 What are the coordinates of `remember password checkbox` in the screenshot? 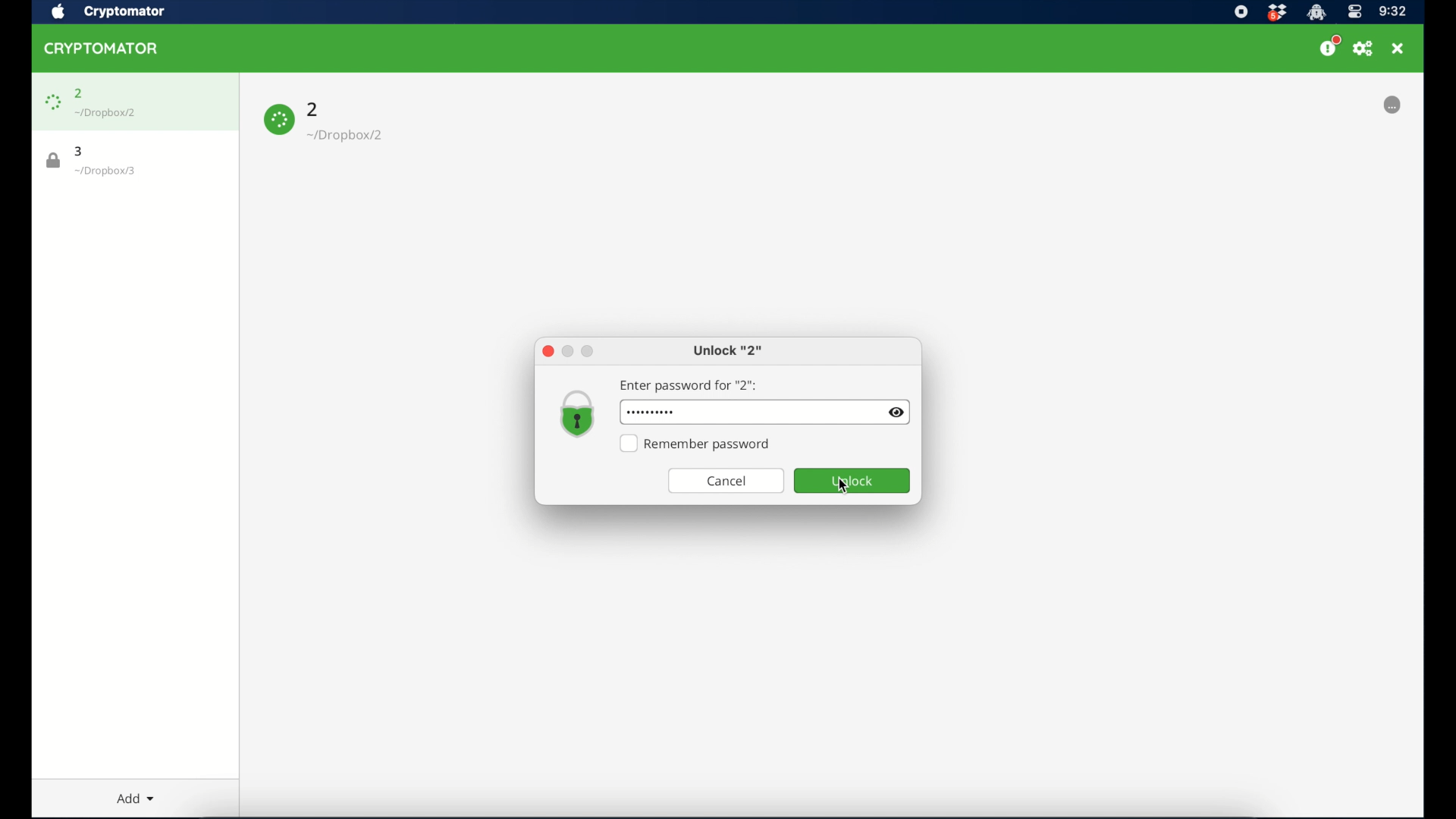 It's located at (698, 444).